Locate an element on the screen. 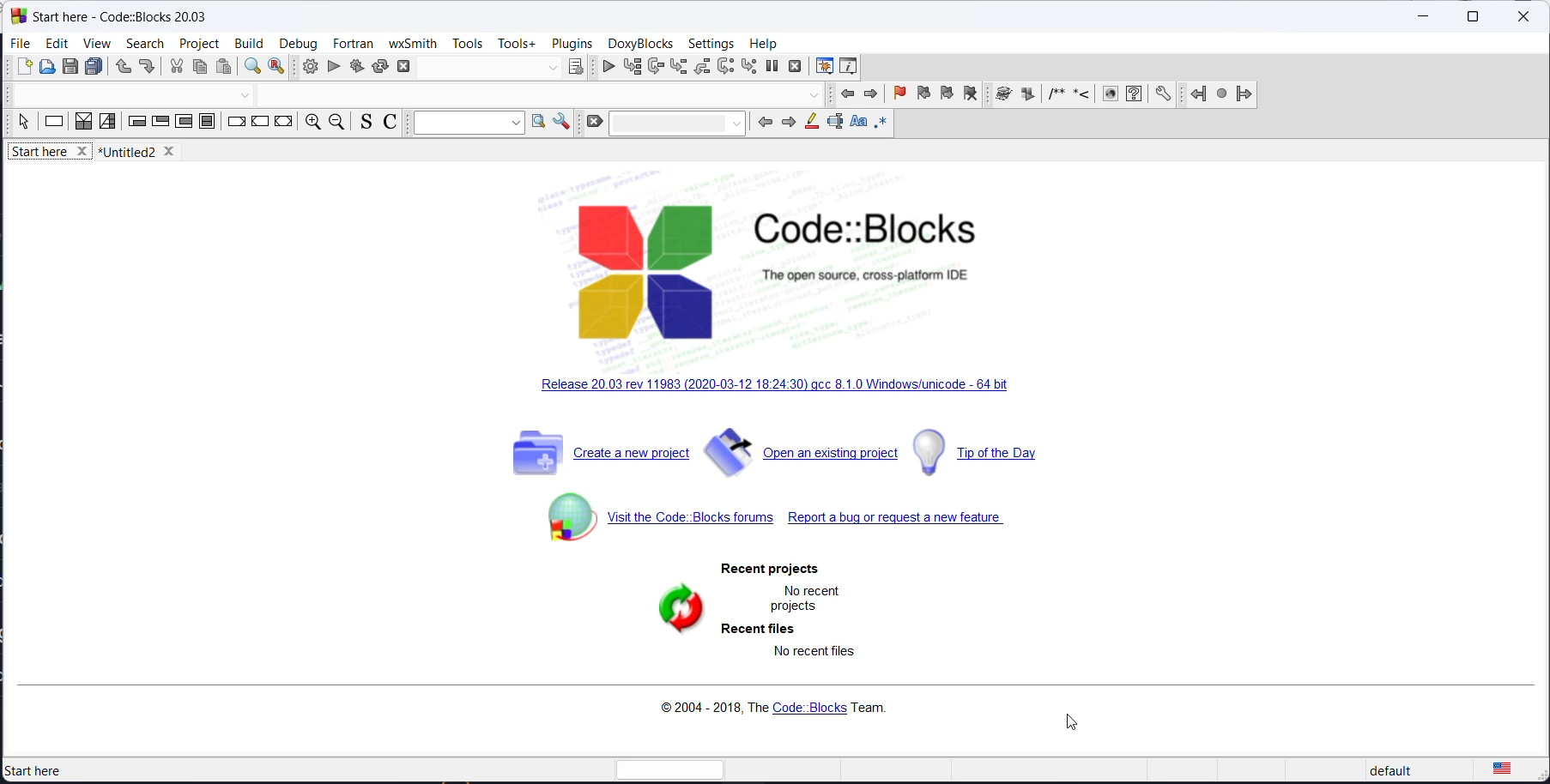 The height and width of the screenshot is (784, 1550). start here is located at coordinates (51, 154).